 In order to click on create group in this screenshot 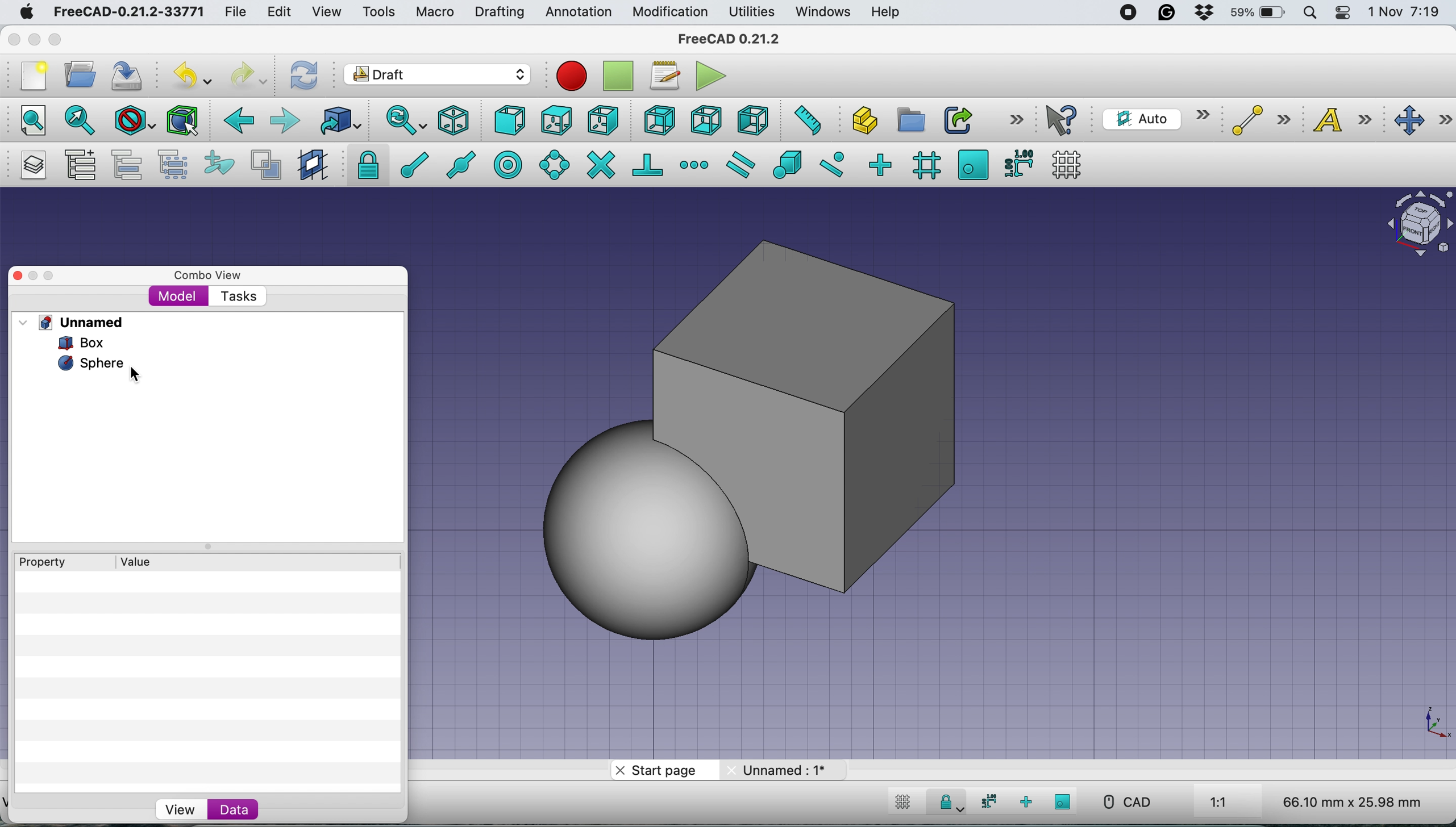, I will do `click(909, 120)`.